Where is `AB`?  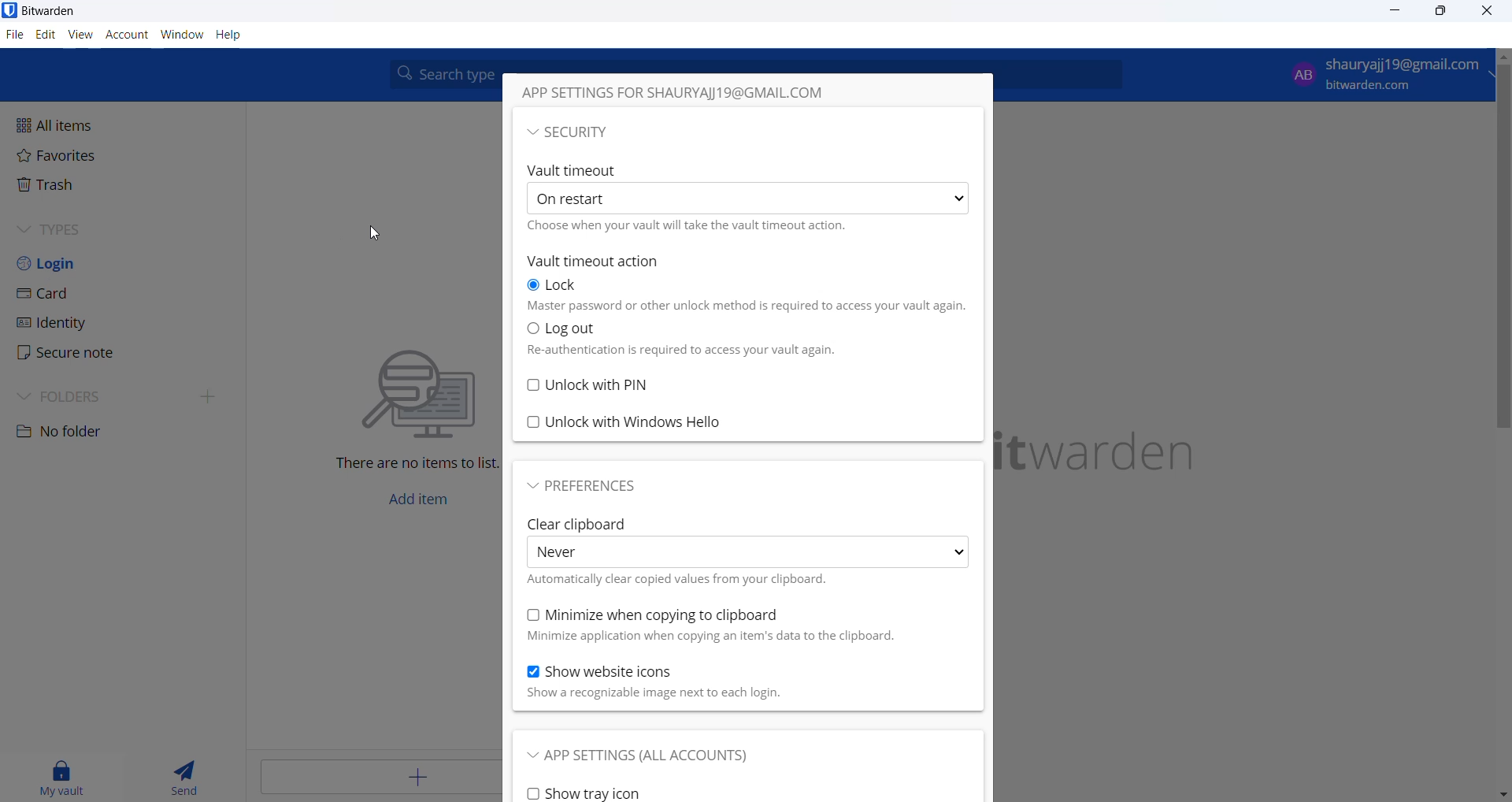
AB is located at coordinates (1299, 73).